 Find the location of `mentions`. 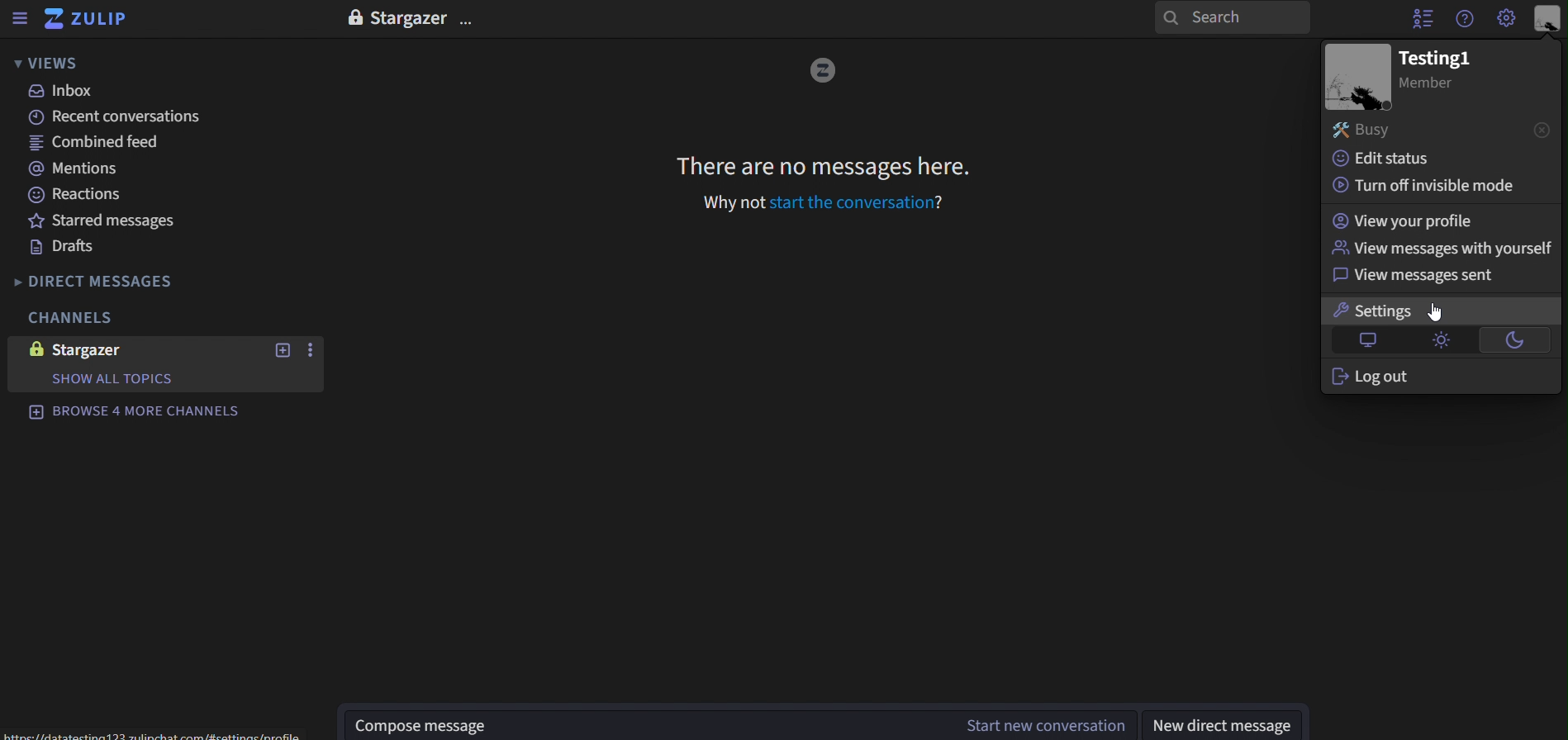

mentions is located at coordinates (91, 172).